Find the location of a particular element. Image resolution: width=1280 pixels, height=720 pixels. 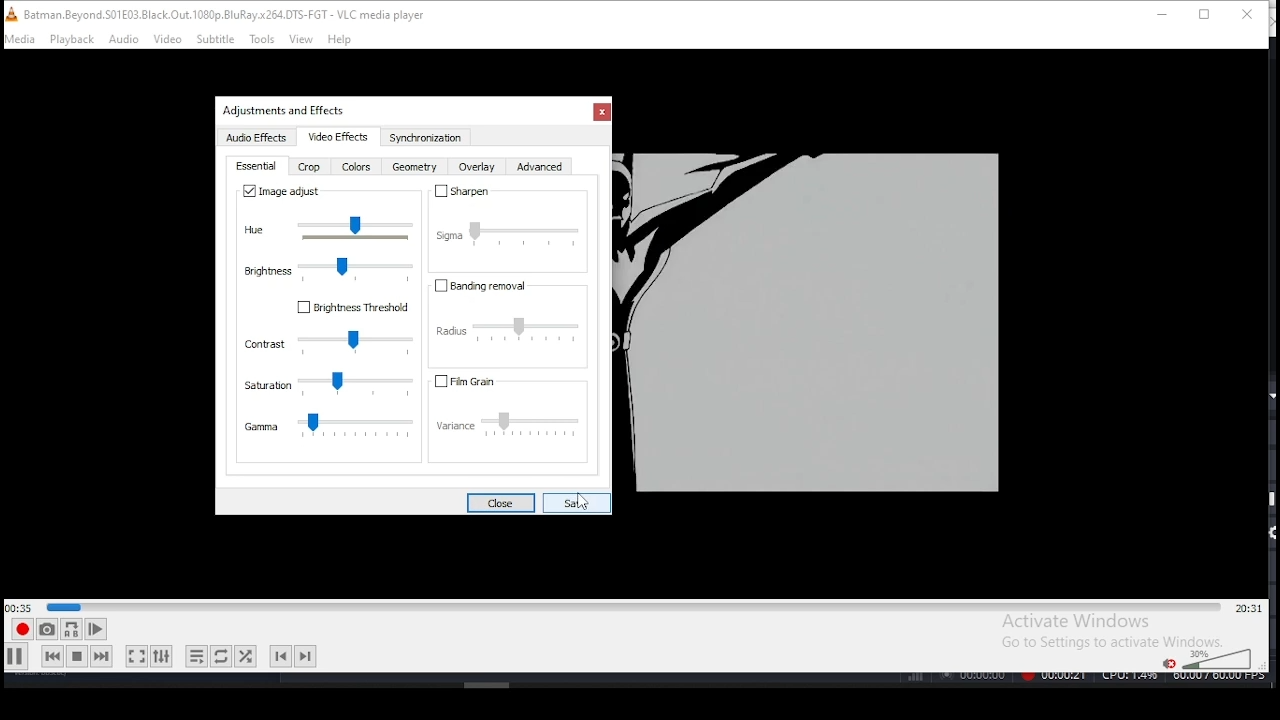

Brightness threshold on/off is located at coordinates (353, 311).